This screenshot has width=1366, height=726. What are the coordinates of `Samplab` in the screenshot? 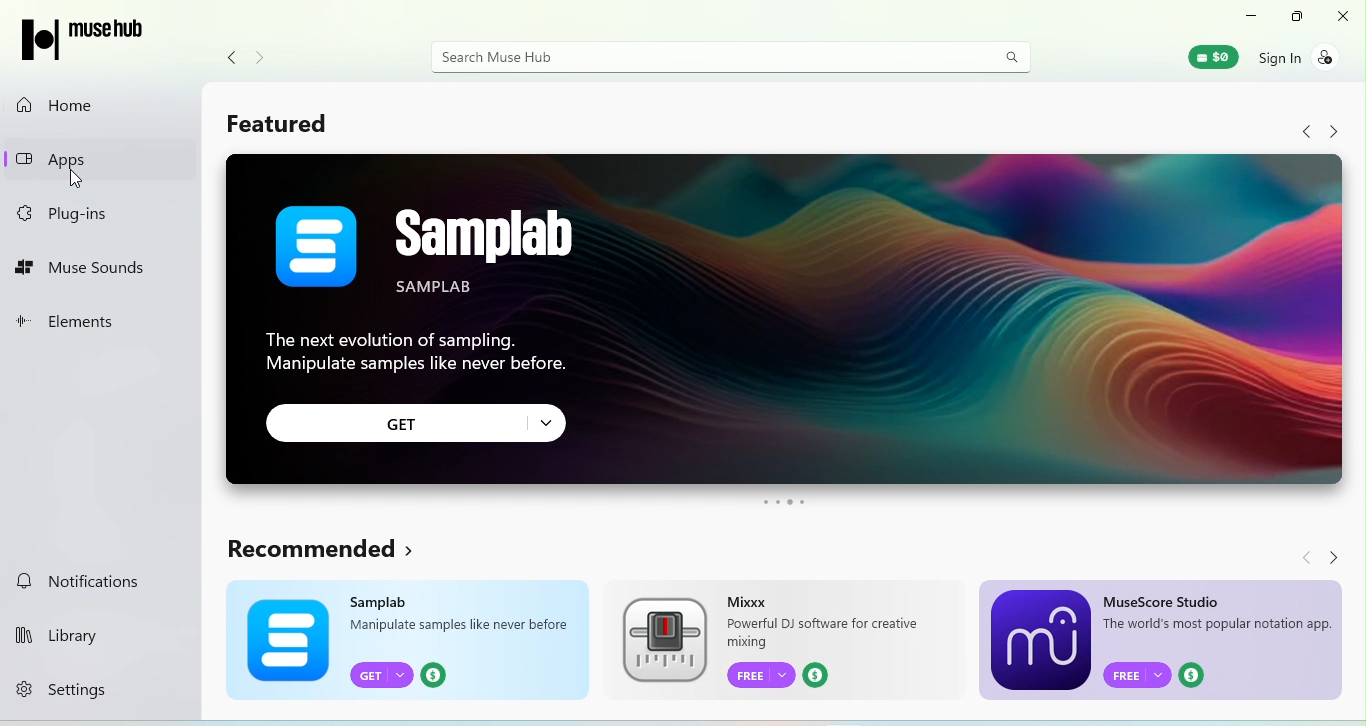 It's located at (384, 600).